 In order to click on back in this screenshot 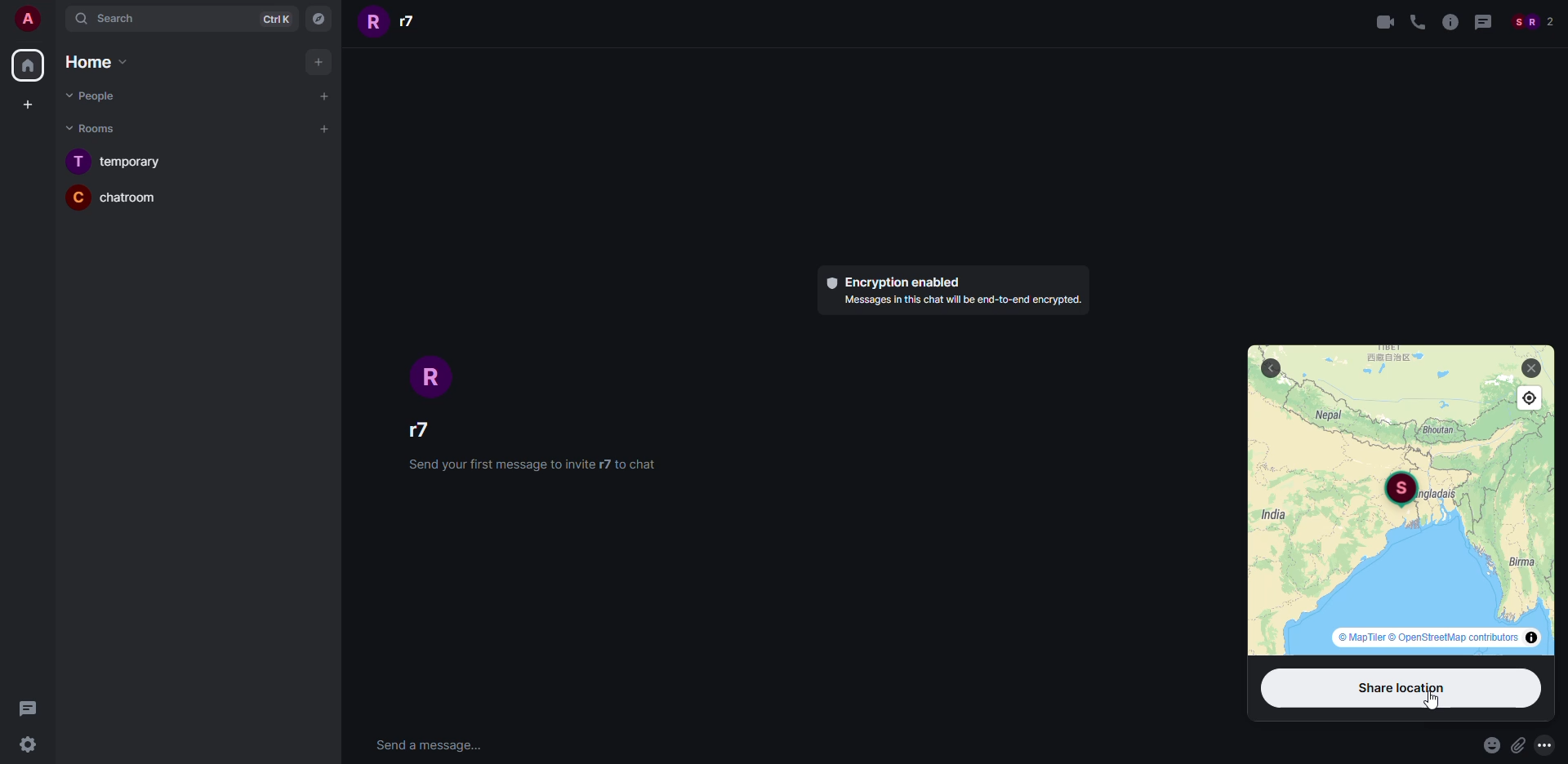, I will do `click(1271, 368)`.